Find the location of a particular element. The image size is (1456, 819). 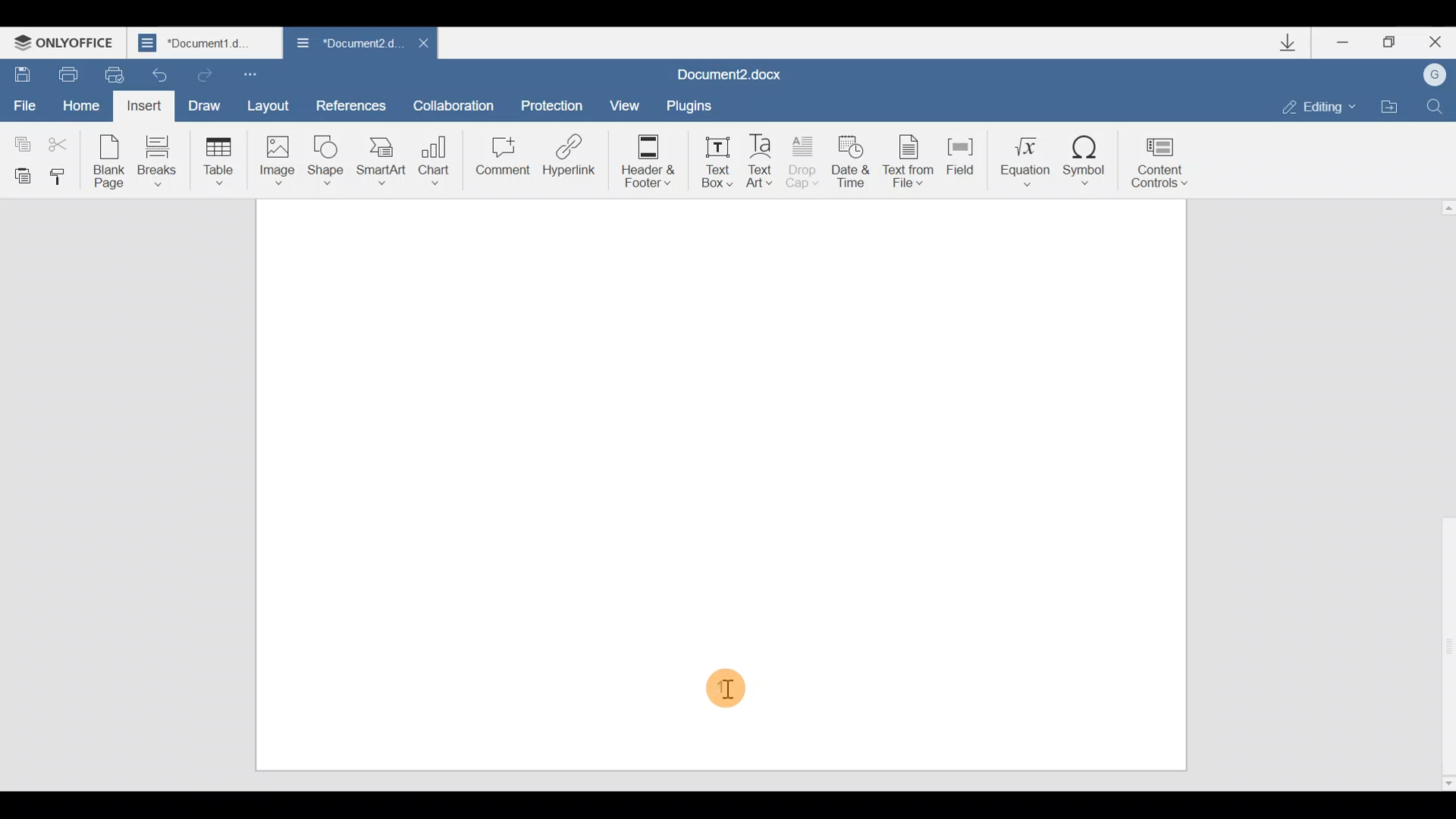

ONLYOFFICE is located at coordinates (68, 39).